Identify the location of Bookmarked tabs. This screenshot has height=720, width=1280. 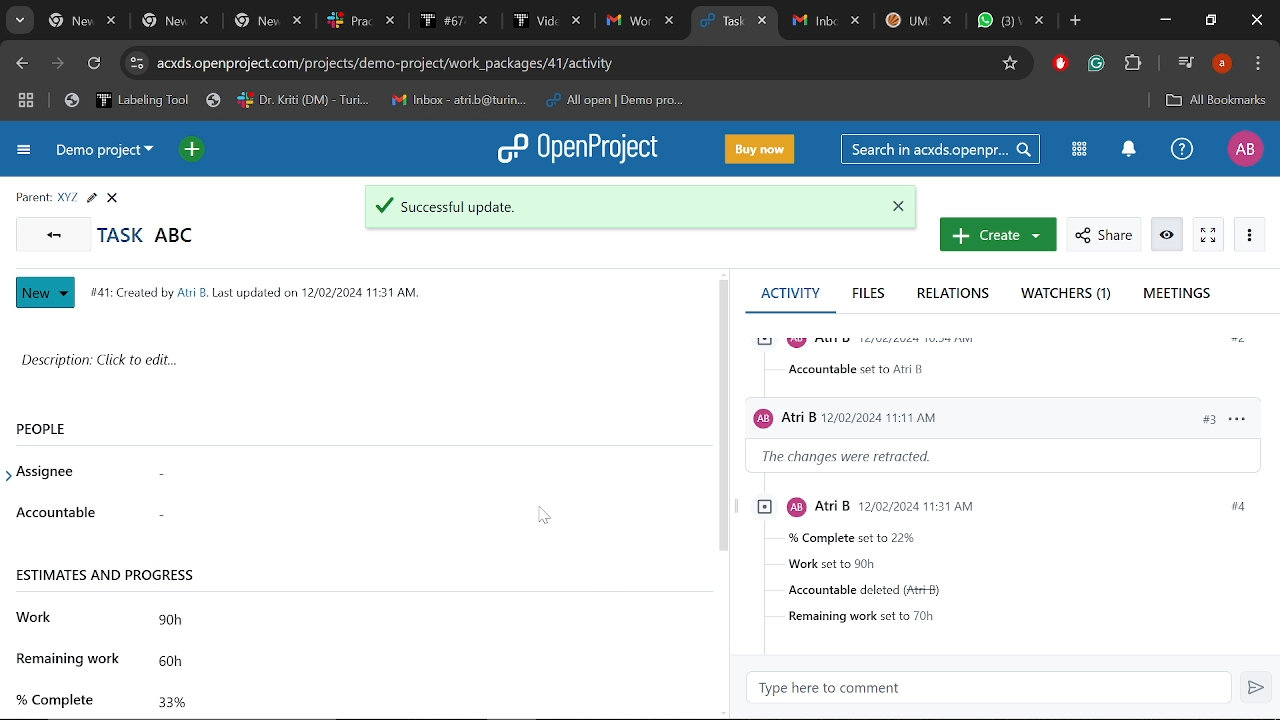
(378, 101).